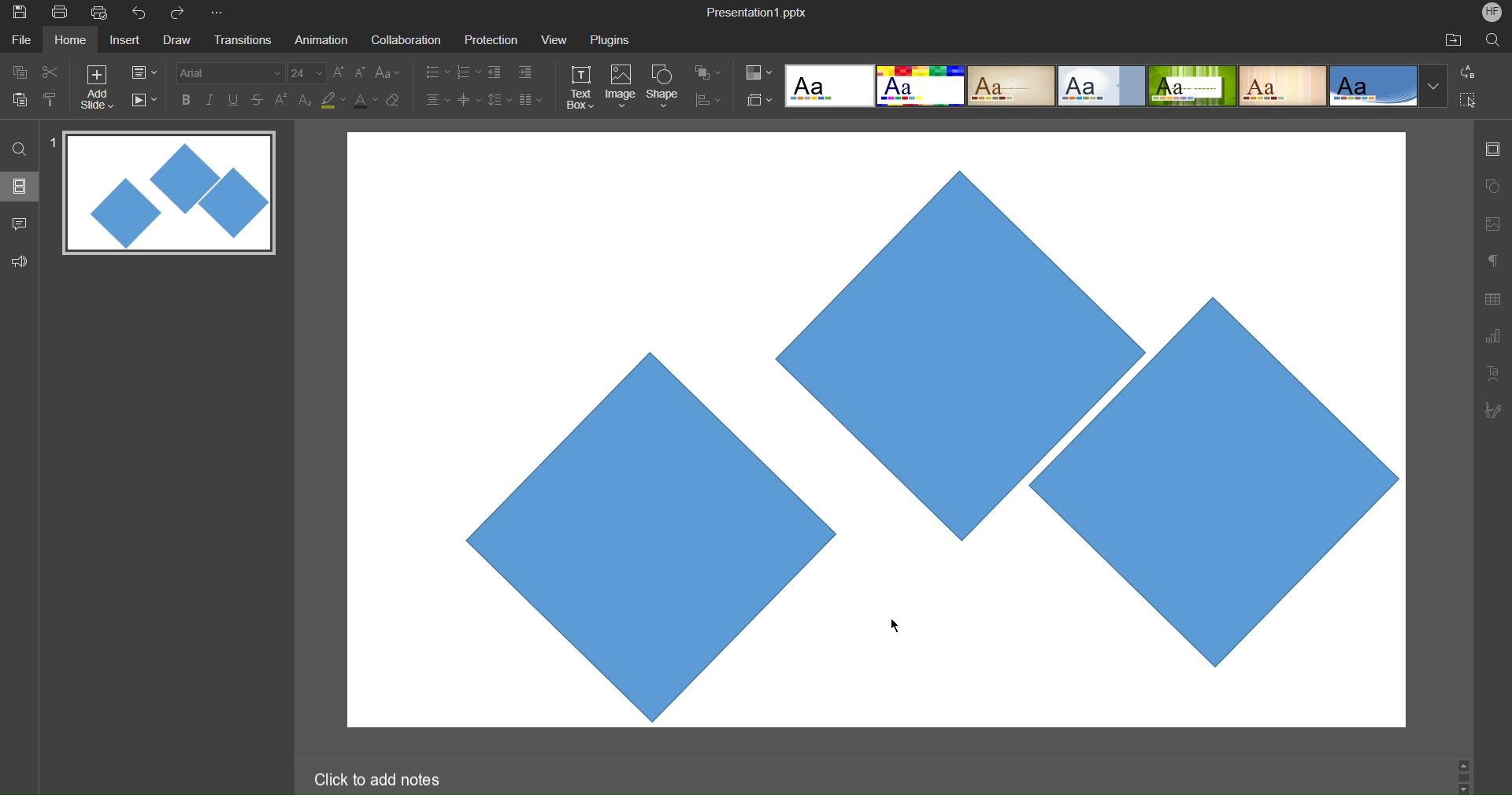 This screenshot has height=795, width=1512. I want to click on Home, so click(70, 40).